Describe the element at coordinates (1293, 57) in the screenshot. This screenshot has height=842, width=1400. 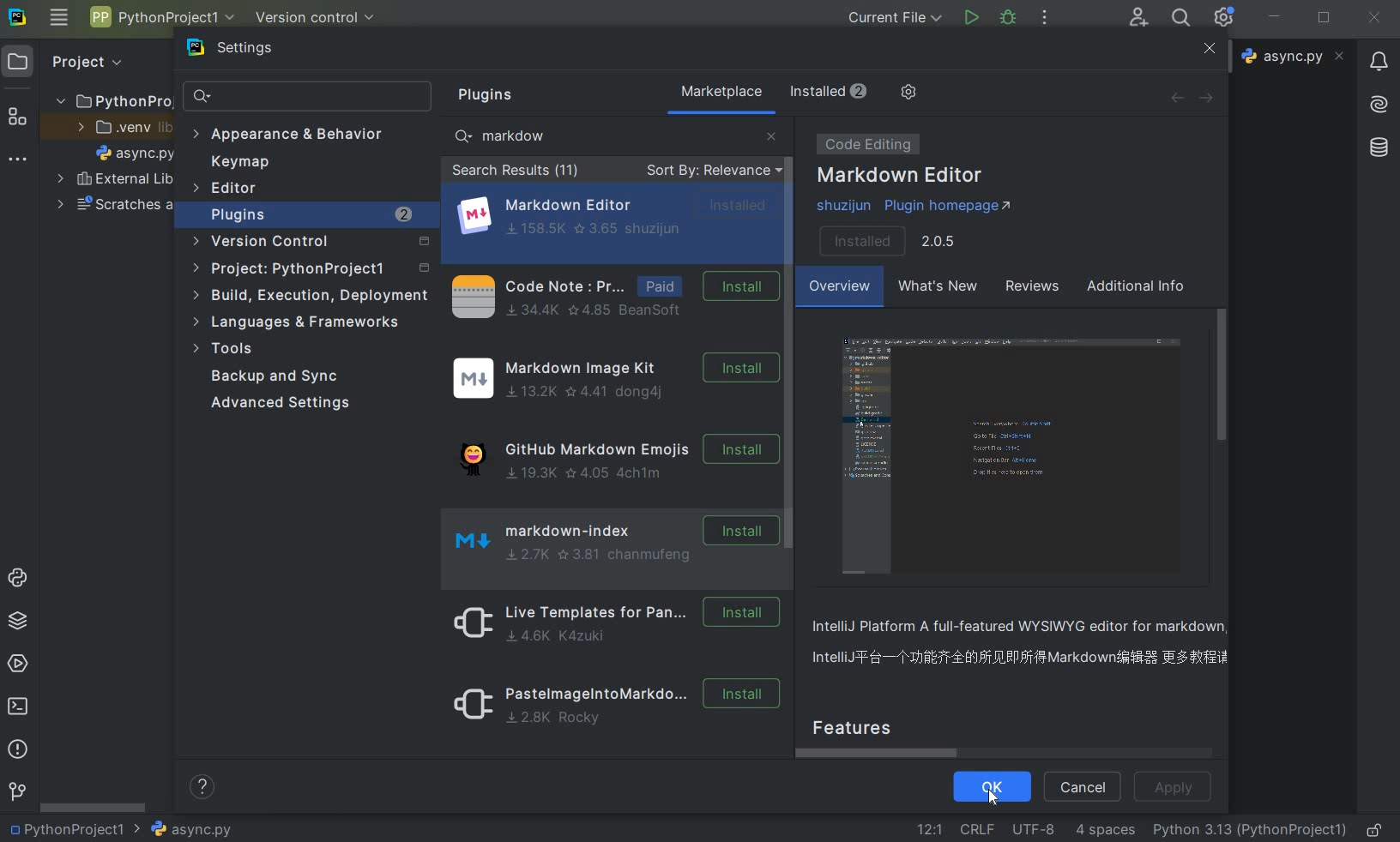
I see `file name` at that location.